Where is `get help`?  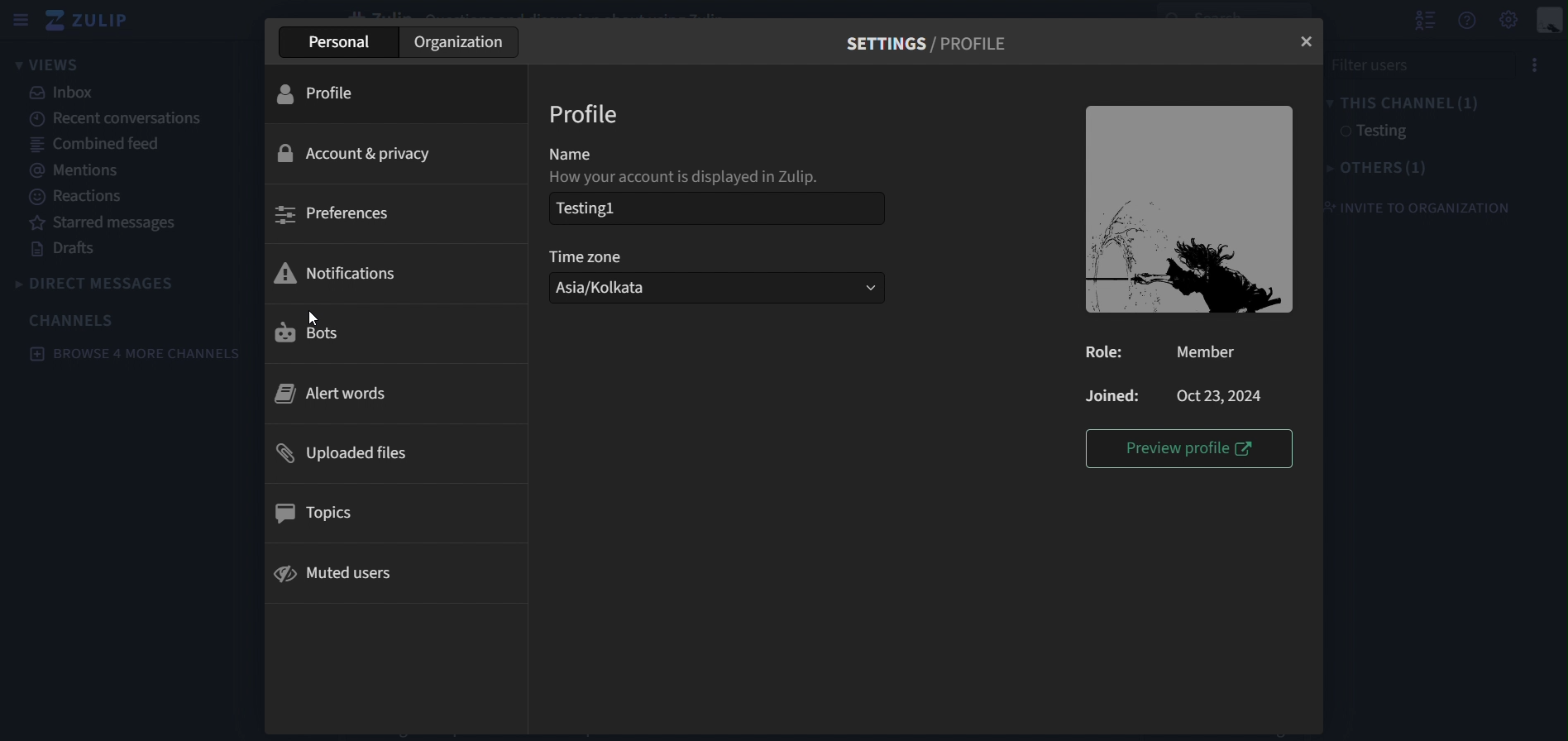 get help is located at coordinates (1469, 21).